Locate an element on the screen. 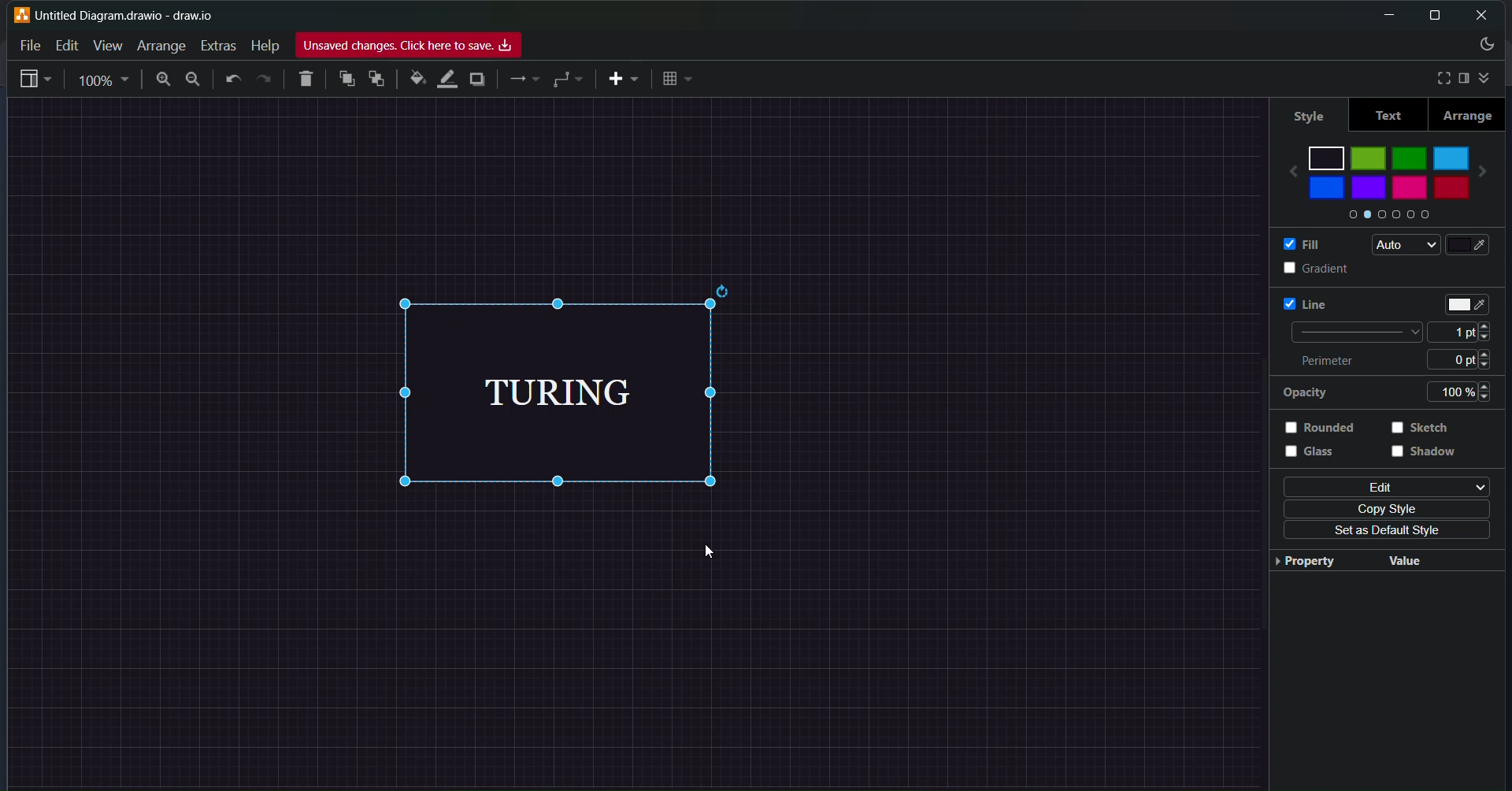  connector is located at coordinates (569, 79).